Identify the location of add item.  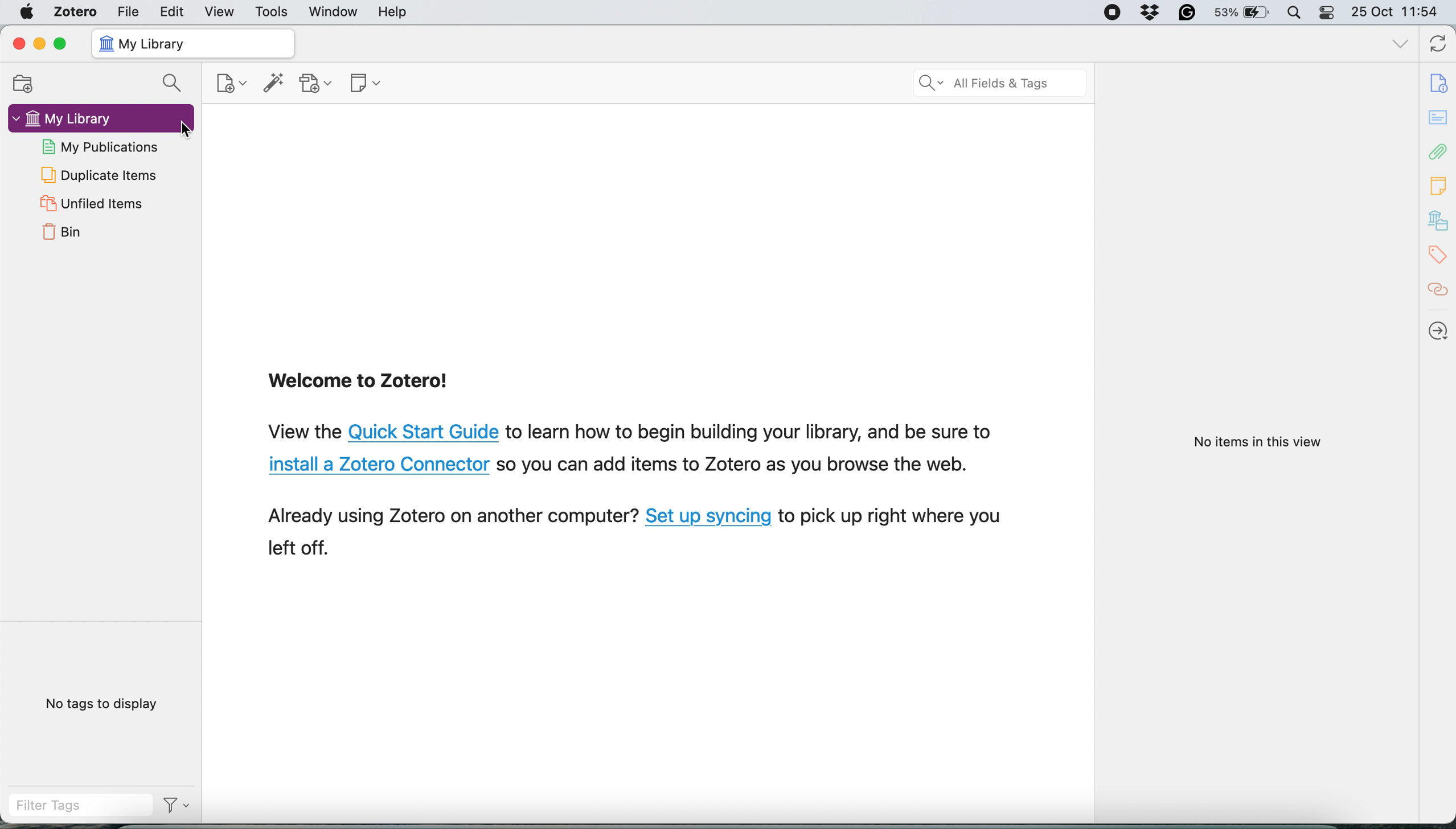
(272, 83).